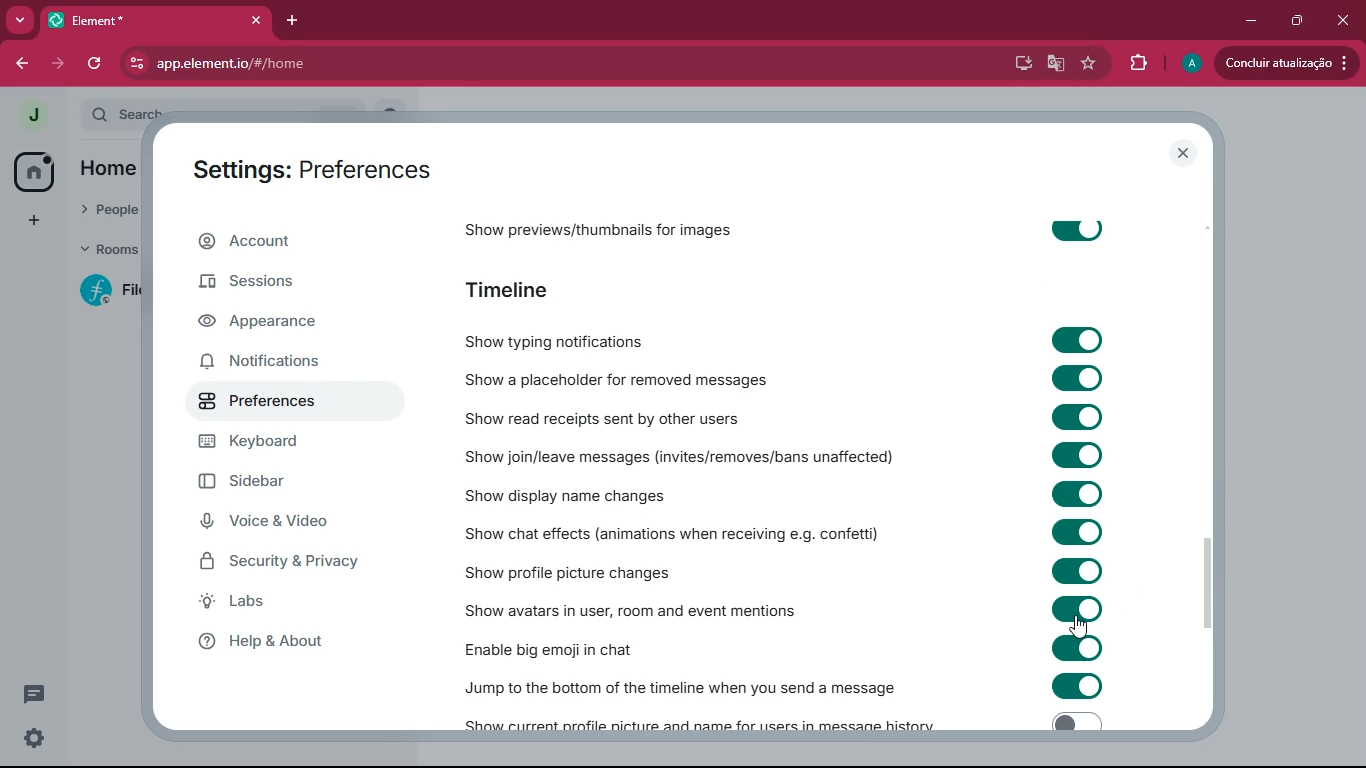 Image resolution: width=1366 pixels, height=768 pixels. Describe the element at coordinates (130, 111) in the screenshot. I see `search` at that location.